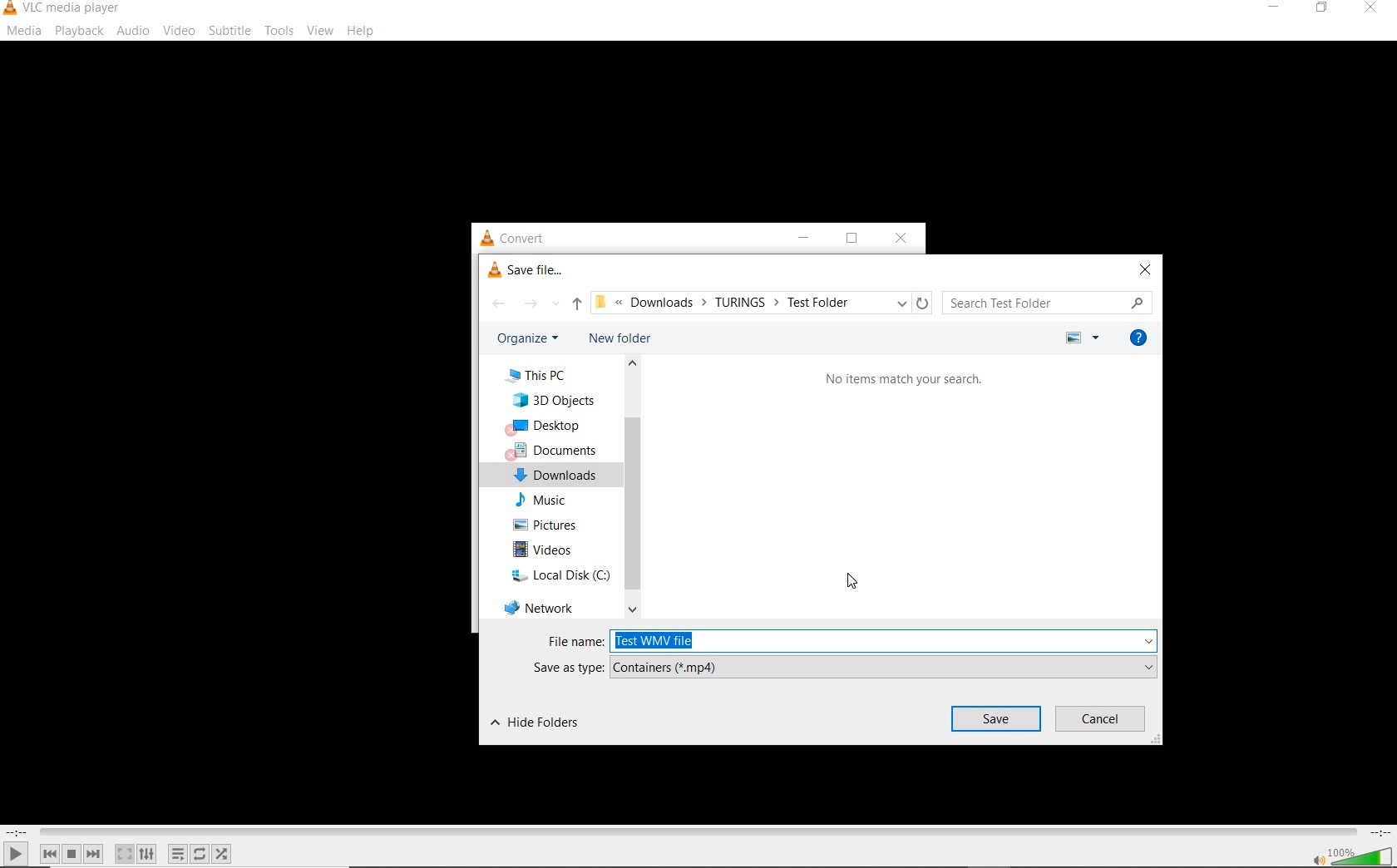 The image size is (1397, 868). I want to click on volume, so click(1362, 855).